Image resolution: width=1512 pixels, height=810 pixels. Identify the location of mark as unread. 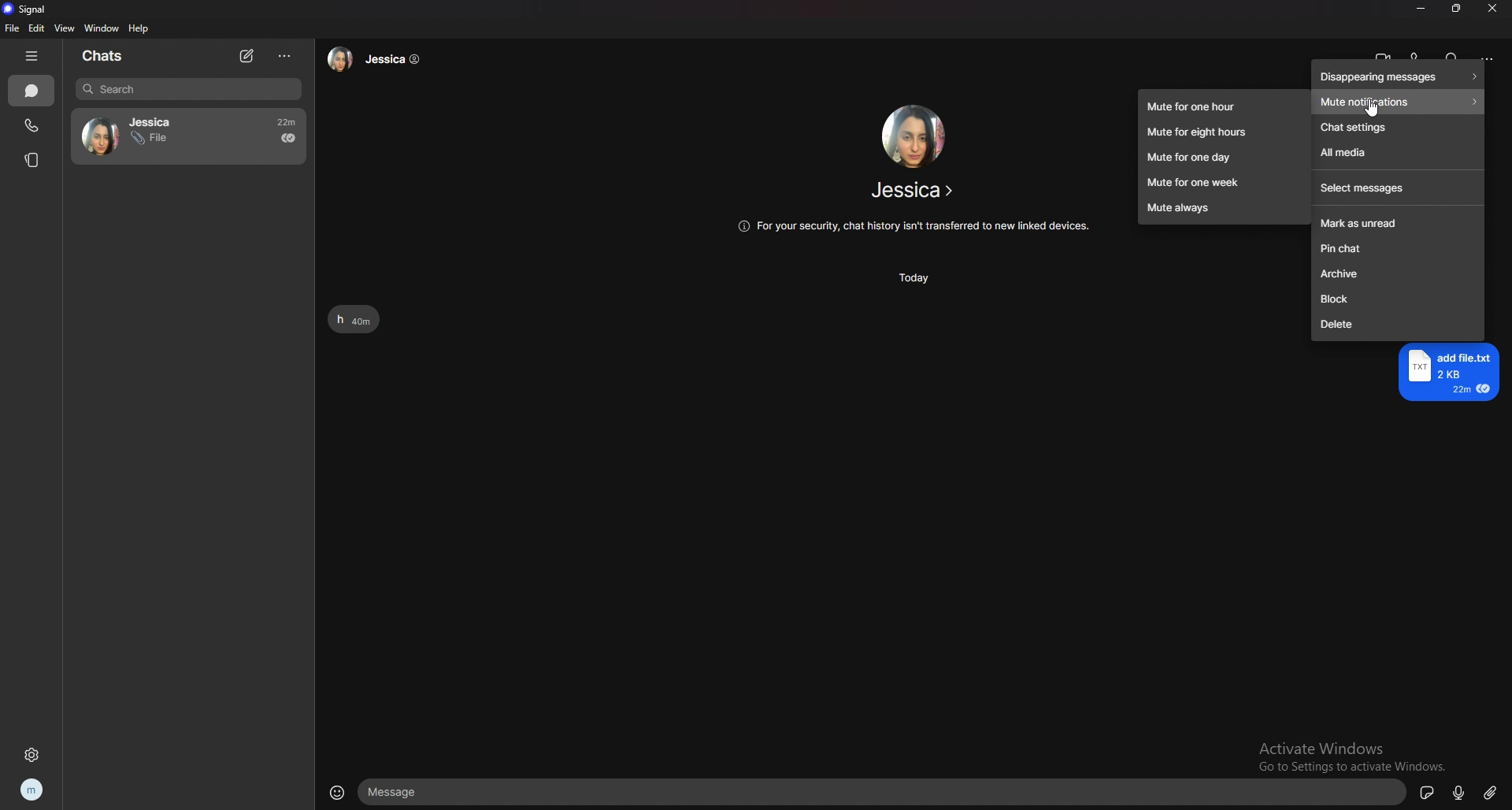
(1398, 223).